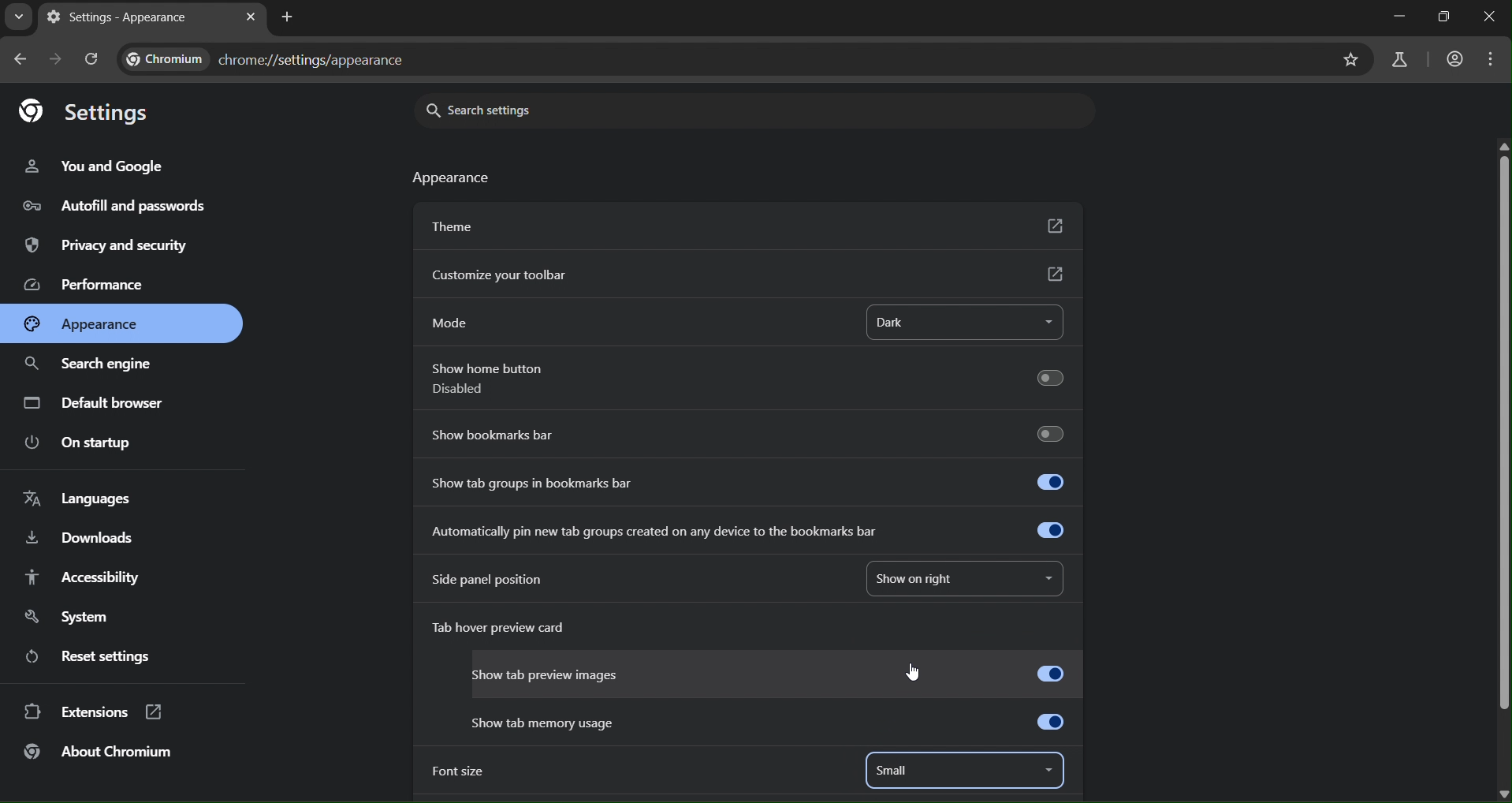 This screenshot has height=803, width=1512. Describe the element at coordinates (17, 17) in the screenshot. I see `search tabs` at that location.